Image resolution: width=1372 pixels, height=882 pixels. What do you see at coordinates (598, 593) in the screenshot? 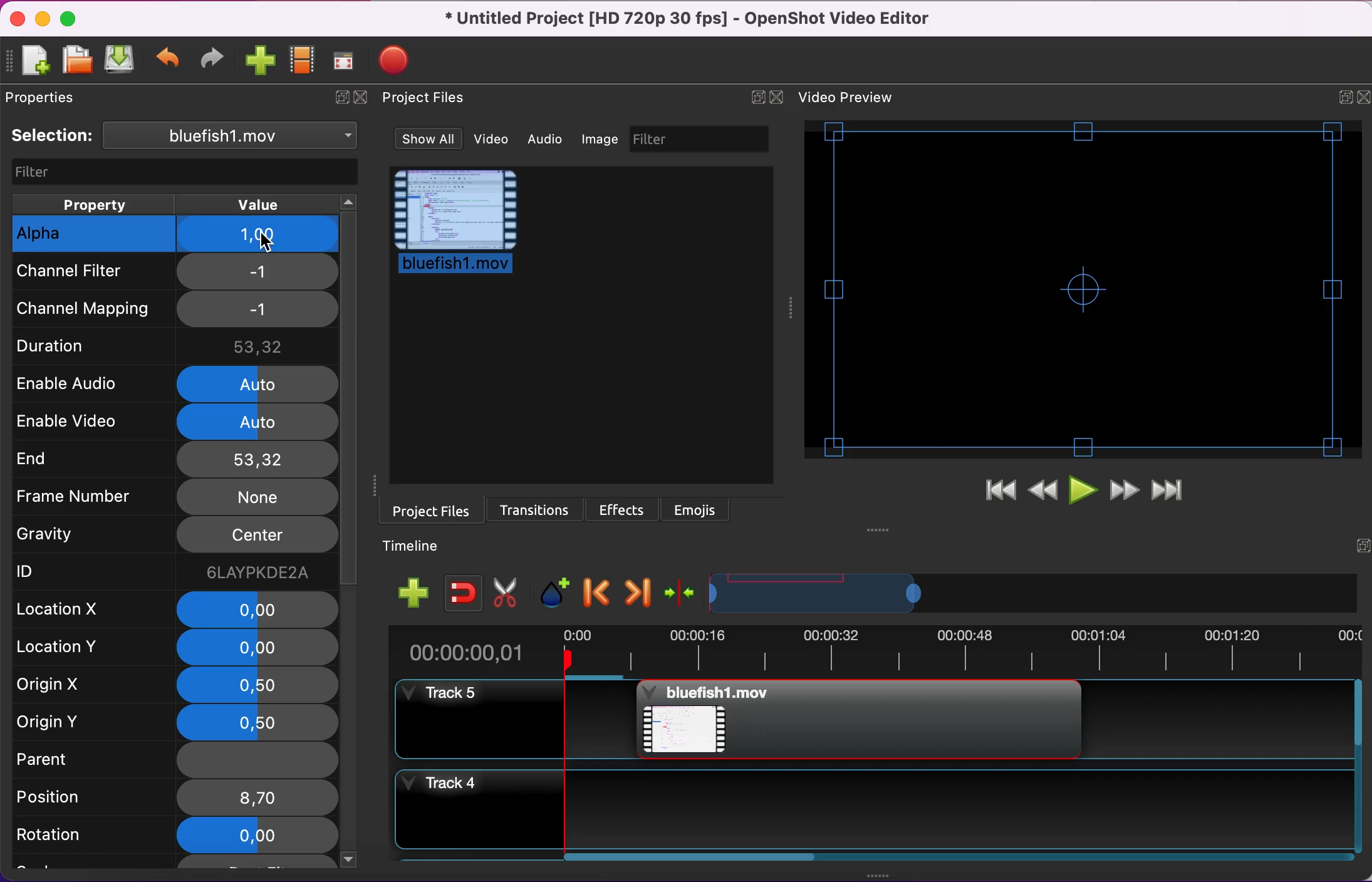
I see `previous marker` at bounding box center [598, 593].